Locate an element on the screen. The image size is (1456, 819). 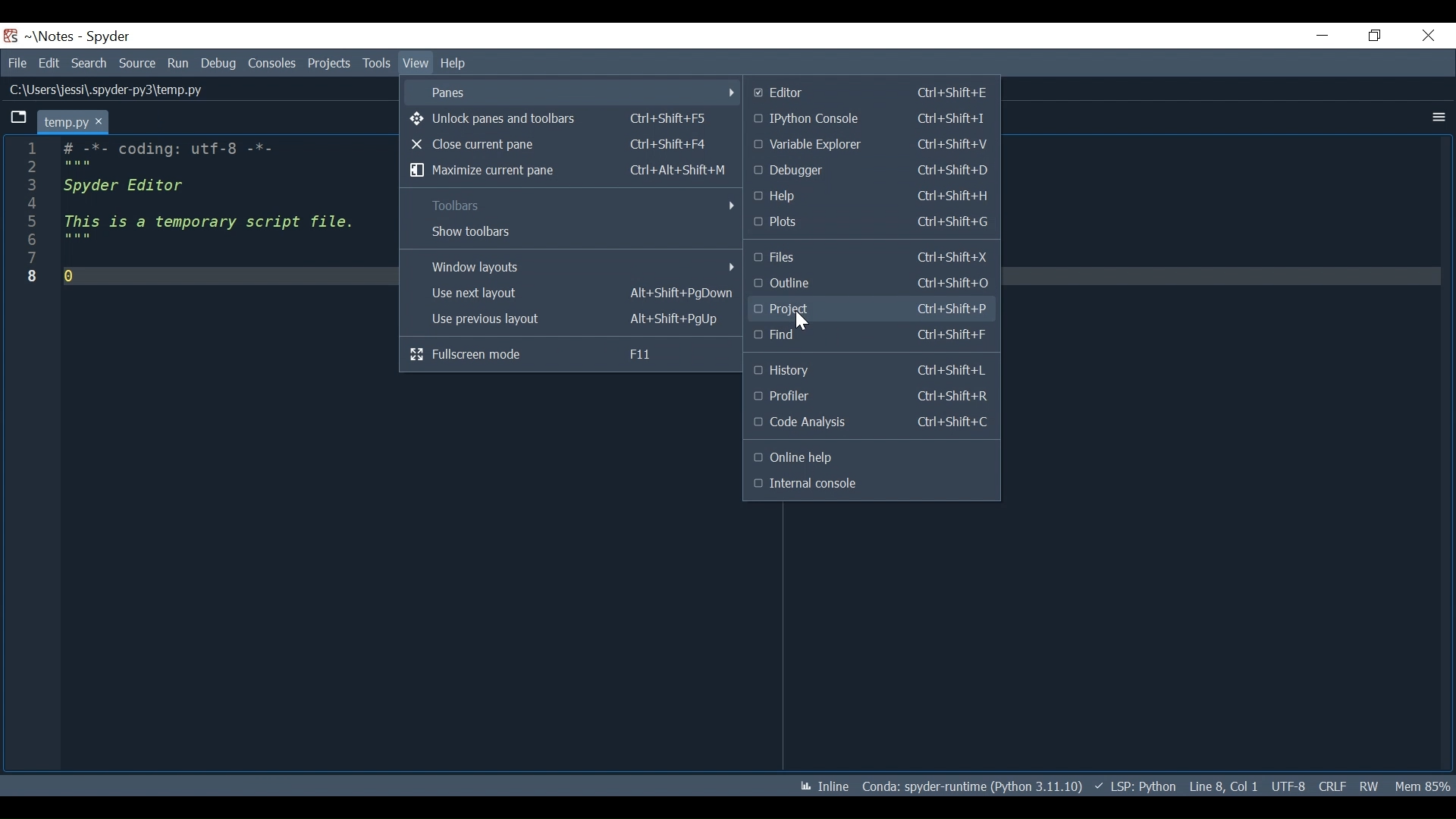
Edit is located at coordinates (49, 63).